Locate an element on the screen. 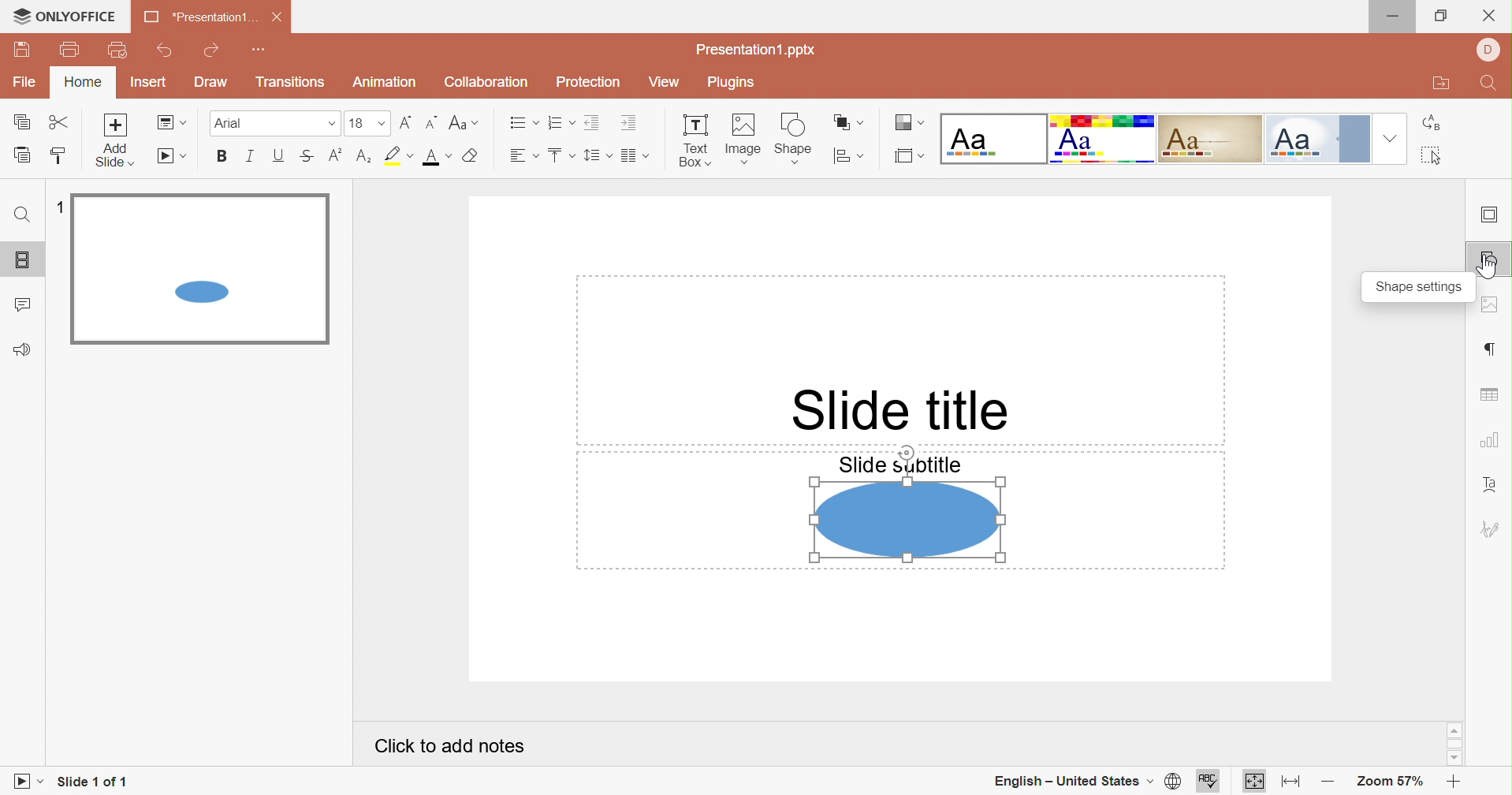 The height and width of the screenshot is (795, 1512). Customize Quick Access Toolbar is located at coordinates (261, 52).